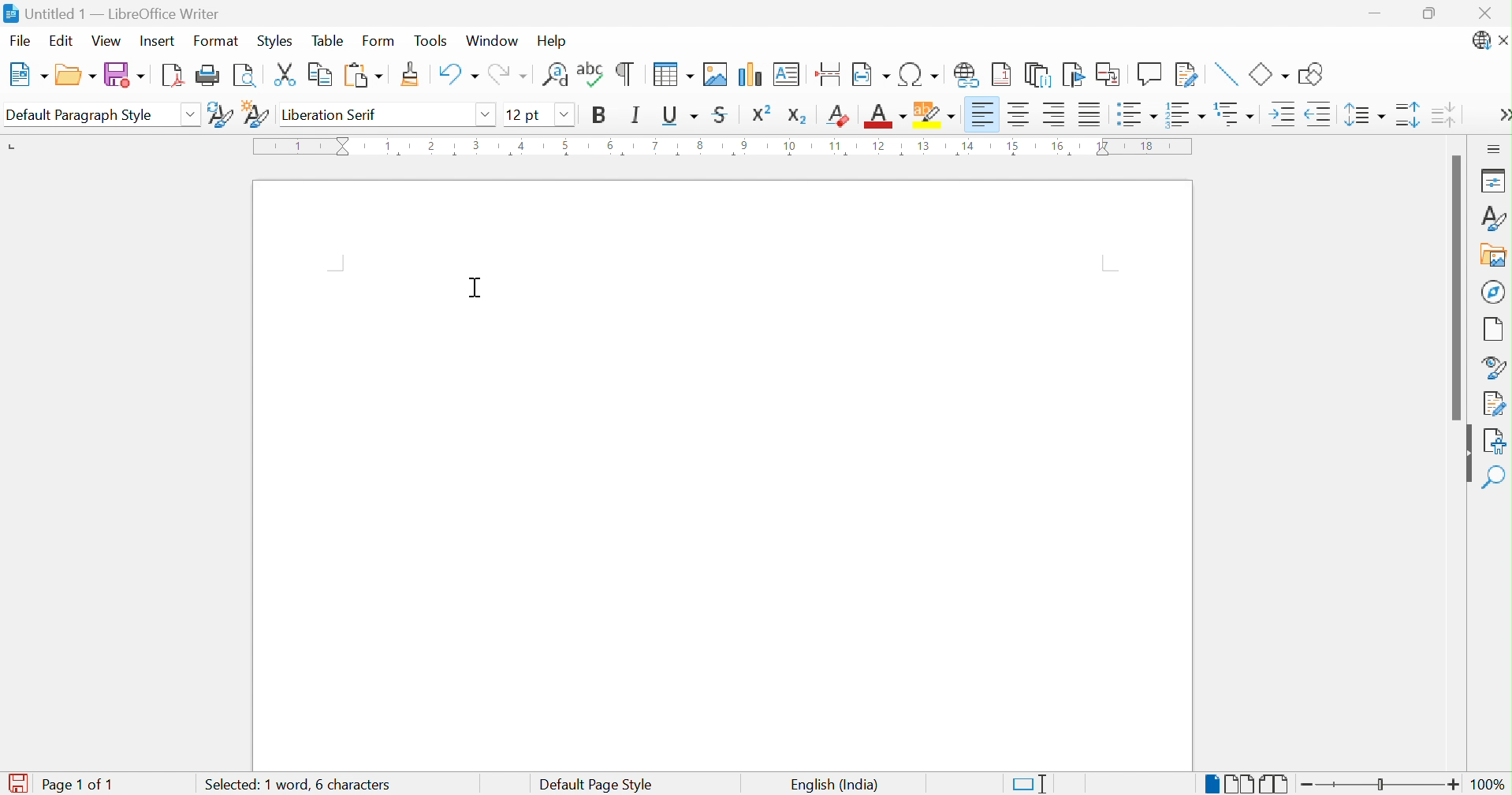 This screenshot has height=795, width=1512. What do you see at coordinates (669, 74) in the screenshot?
I see `Insert Table` at bounding box center [669, 74].